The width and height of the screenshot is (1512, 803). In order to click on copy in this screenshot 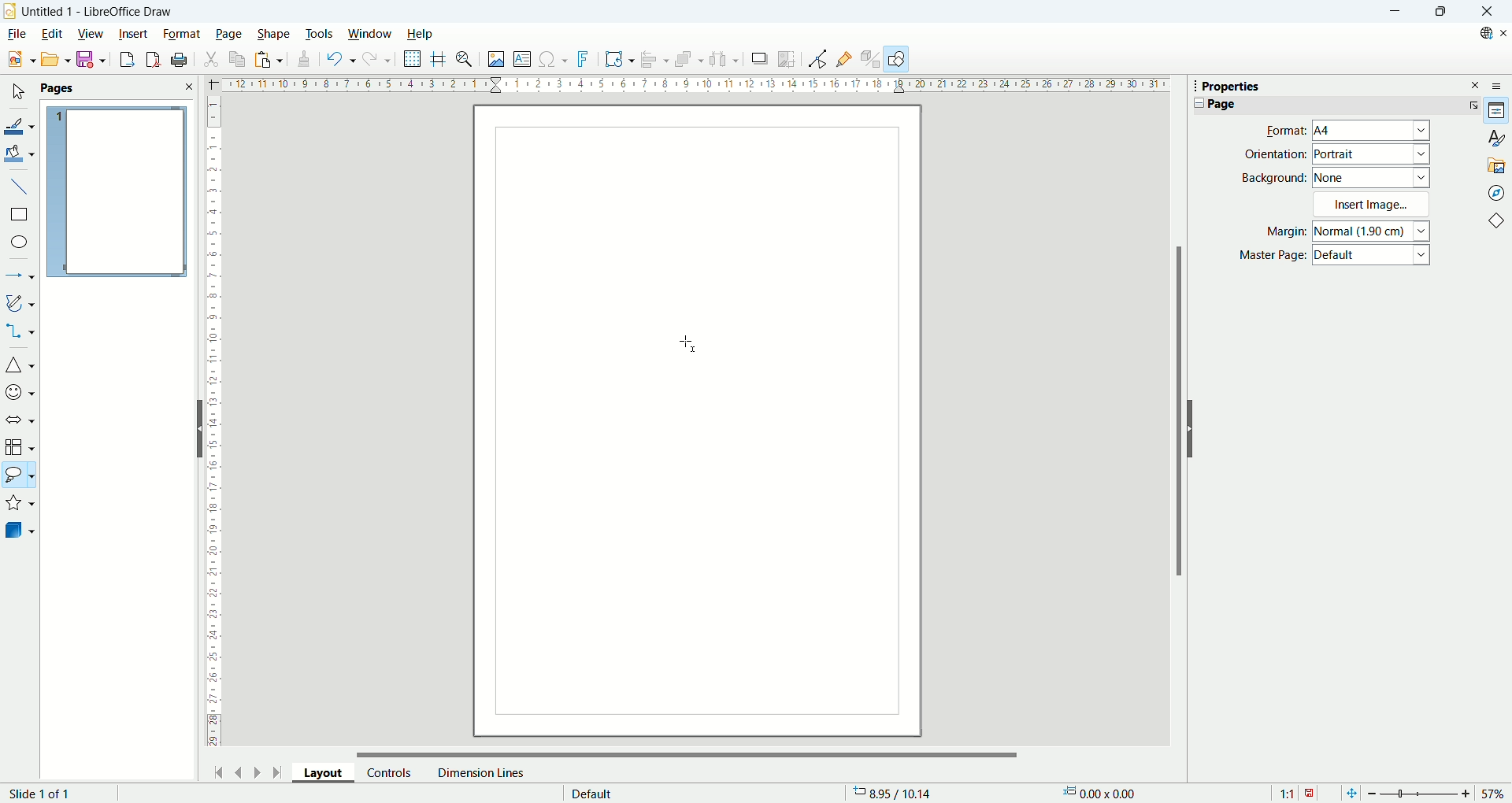, I will do `click(238, 59)`.